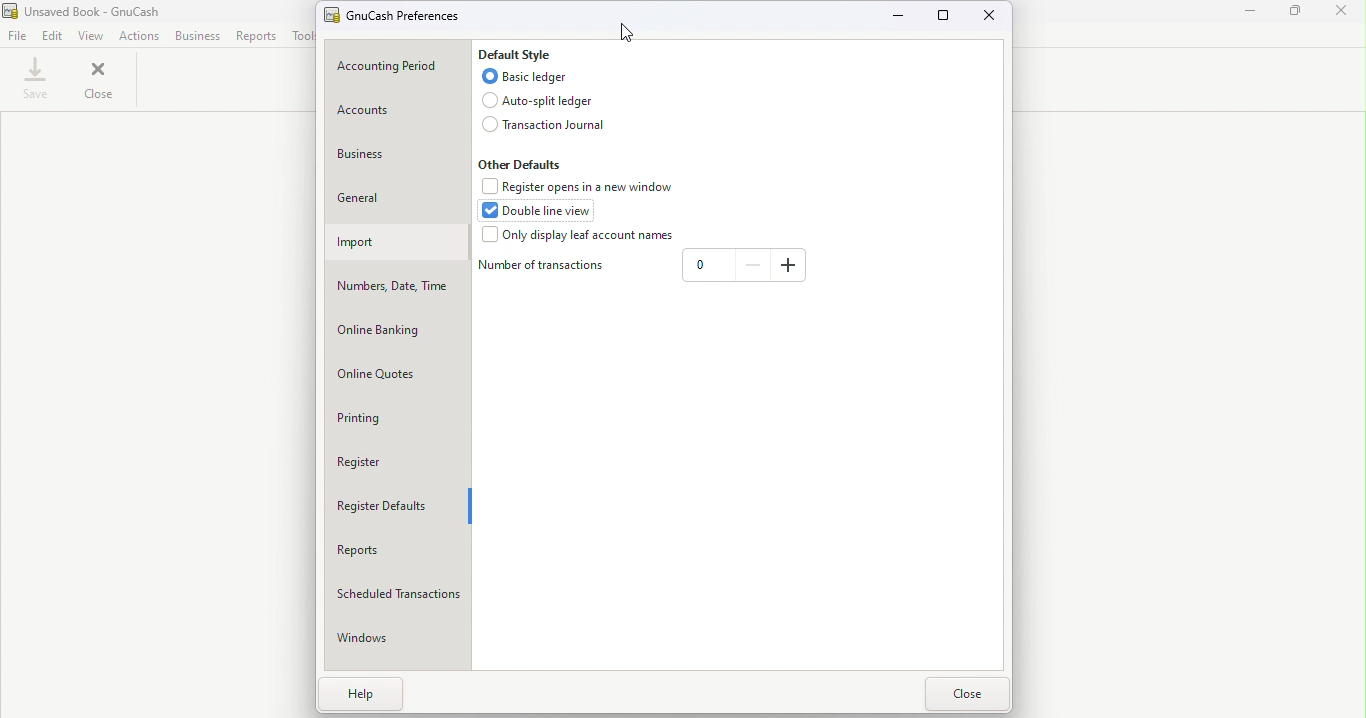  I want to click on Scheduled transactions, so click(398, 590).